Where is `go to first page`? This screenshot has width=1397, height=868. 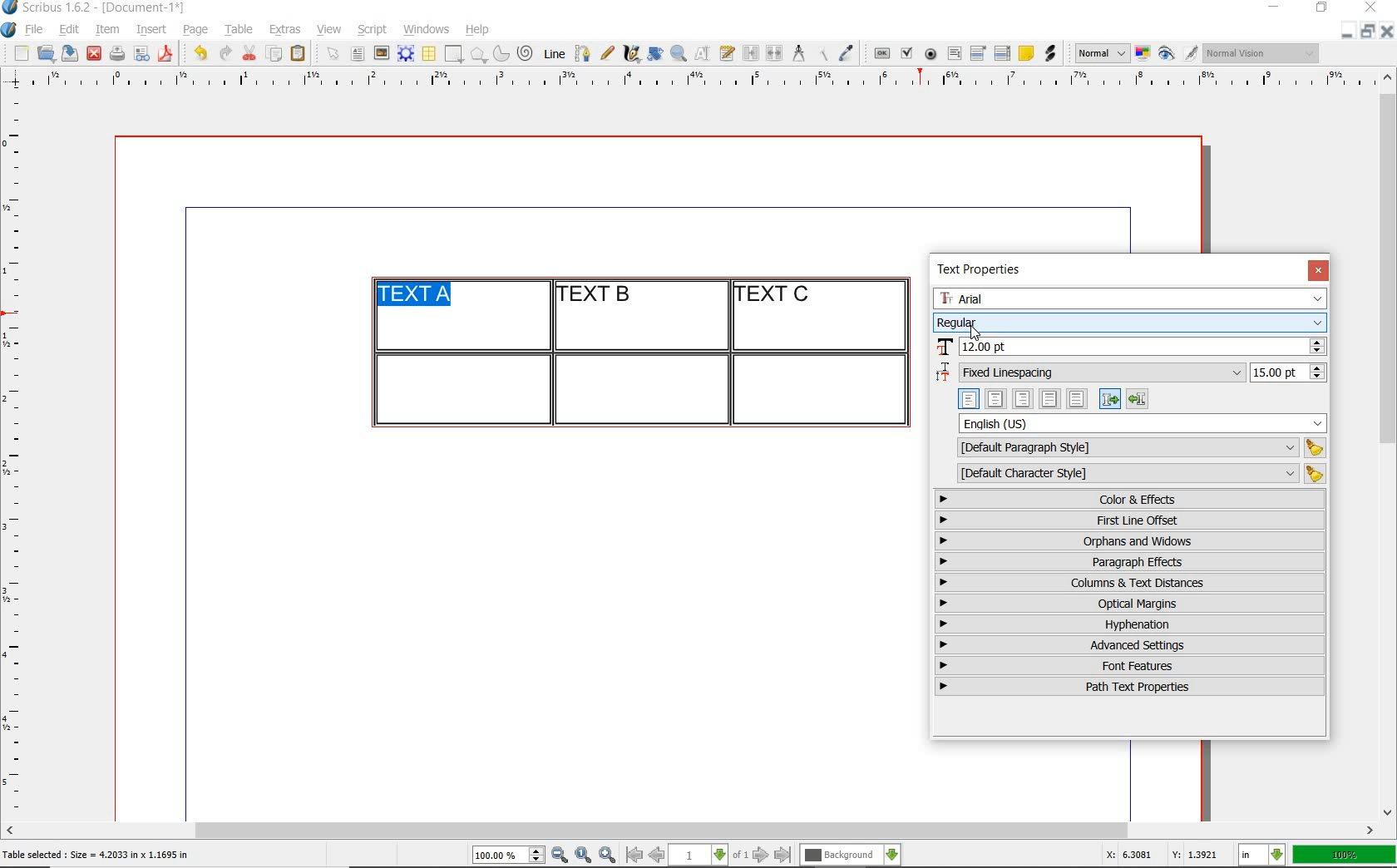
go to first page is located at coordinates (633, 855).